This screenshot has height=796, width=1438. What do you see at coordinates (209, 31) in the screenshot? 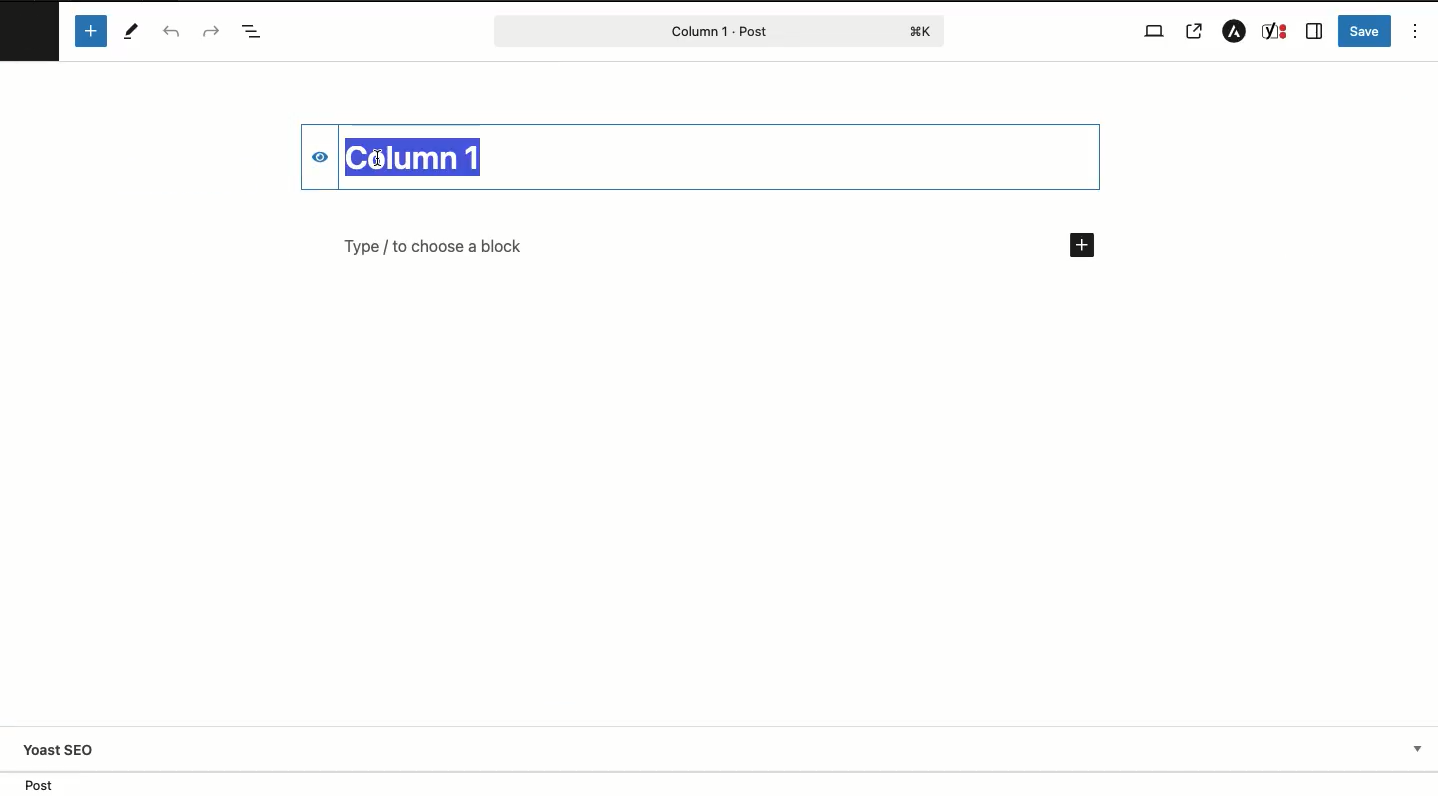
I see `Redo` at bounding box center [209, 31].